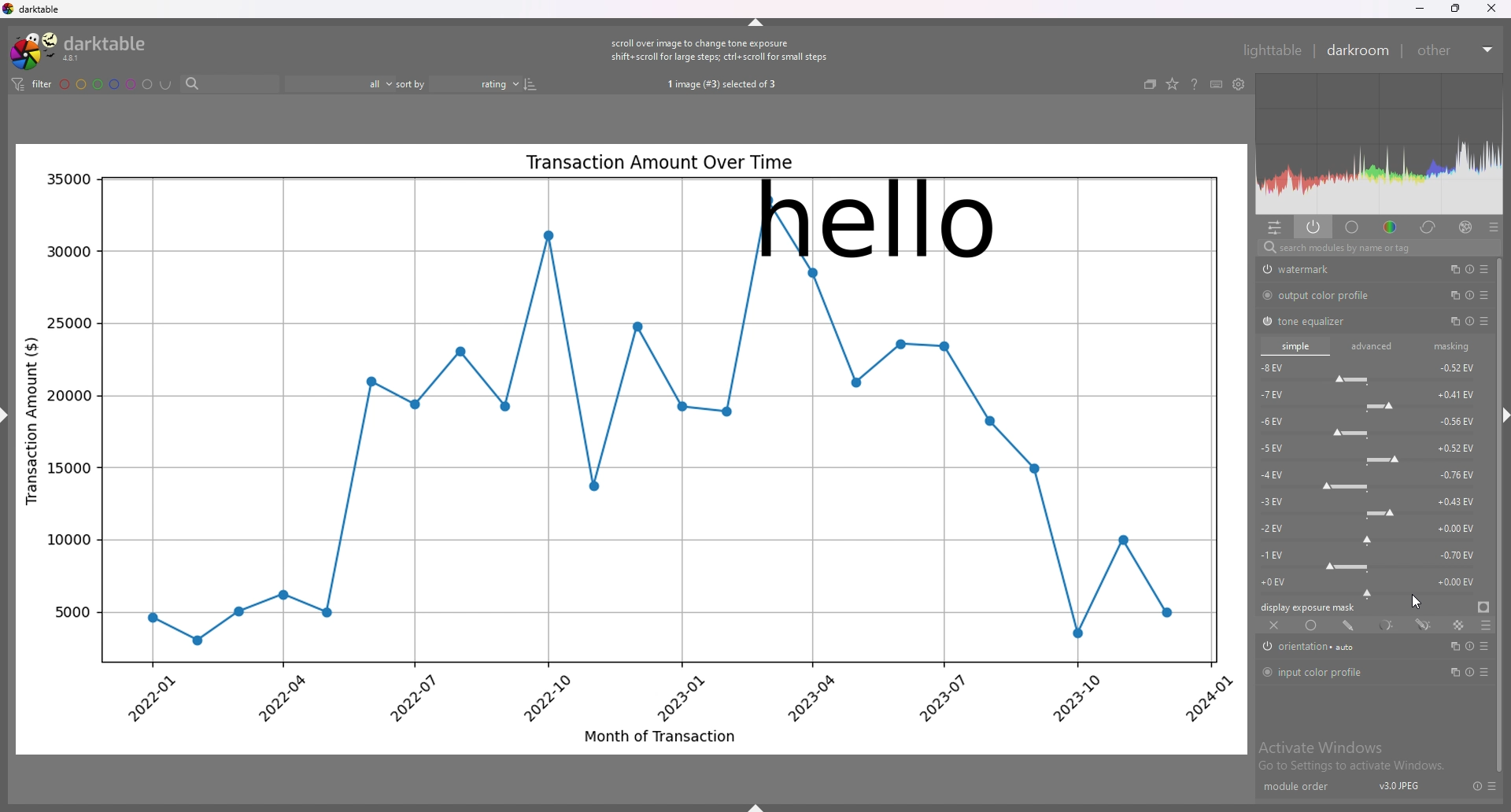  Describe the element at coordinates (31, 86) in the screenshot. I see `filter` at that location.